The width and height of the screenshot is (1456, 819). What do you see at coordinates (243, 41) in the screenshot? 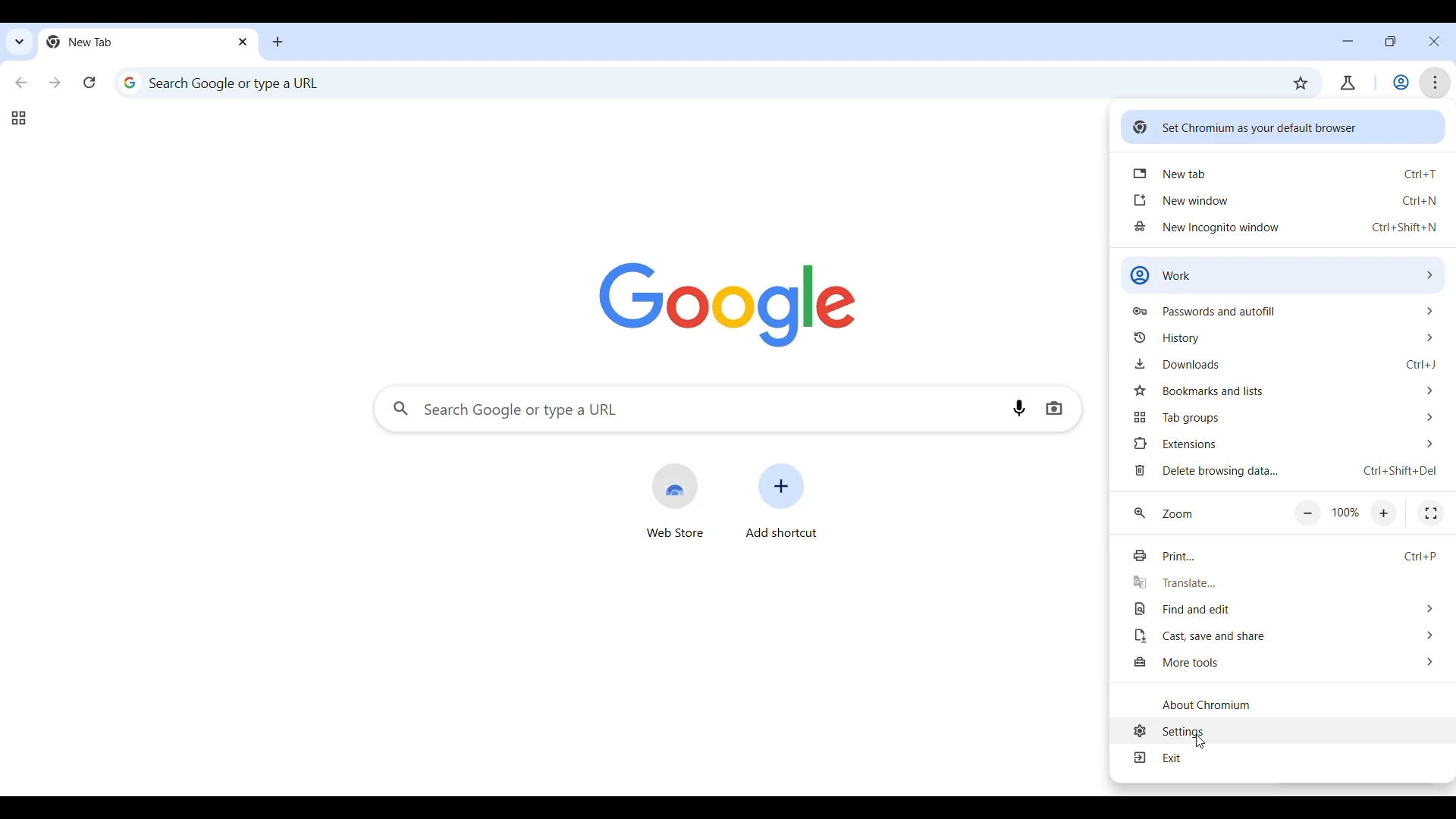
I see `Close tab` at bounding box center [243, 41].